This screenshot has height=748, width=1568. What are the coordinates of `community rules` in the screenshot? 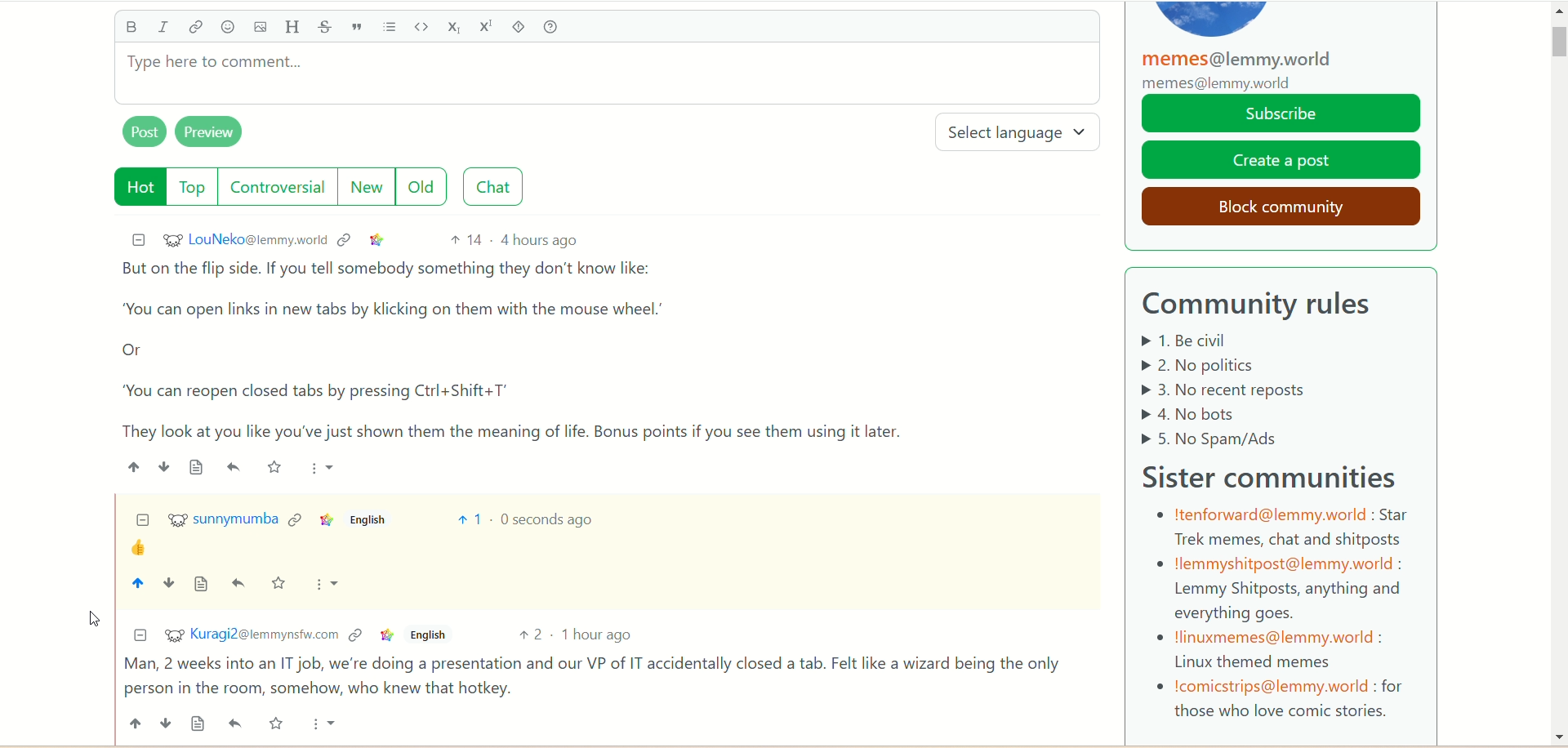 It's located at (1268, 305).